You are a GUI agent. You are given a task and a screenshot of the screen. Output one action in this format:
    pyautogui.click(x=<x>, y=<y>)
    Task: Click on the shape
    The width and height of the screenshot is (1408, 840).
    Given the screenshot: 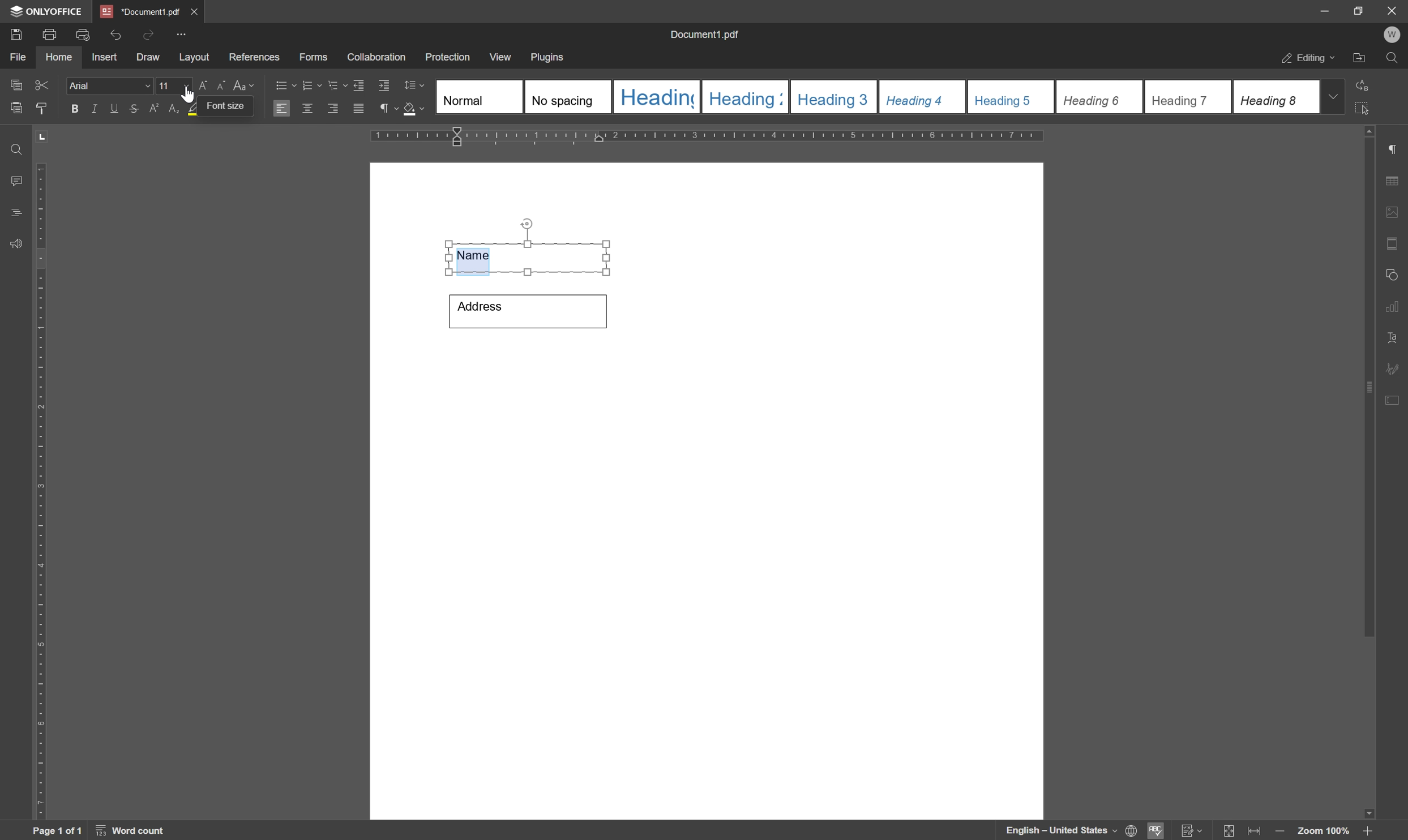 What is the action you would take?
    pyautogui.click(x=1395, y=272)
    